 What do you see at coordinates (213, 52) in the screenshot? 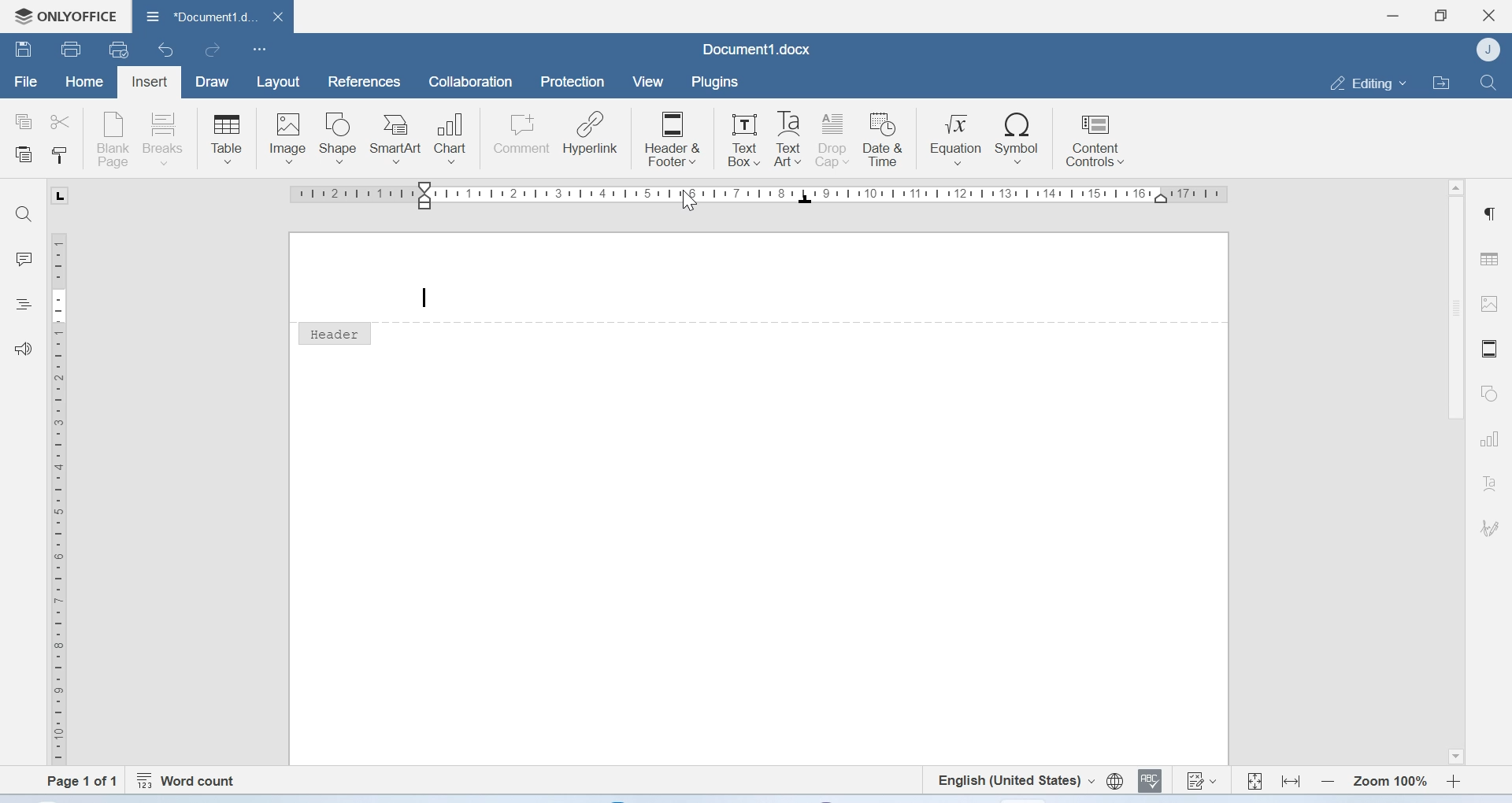
I see `redo` at bounding box center [213, 52].